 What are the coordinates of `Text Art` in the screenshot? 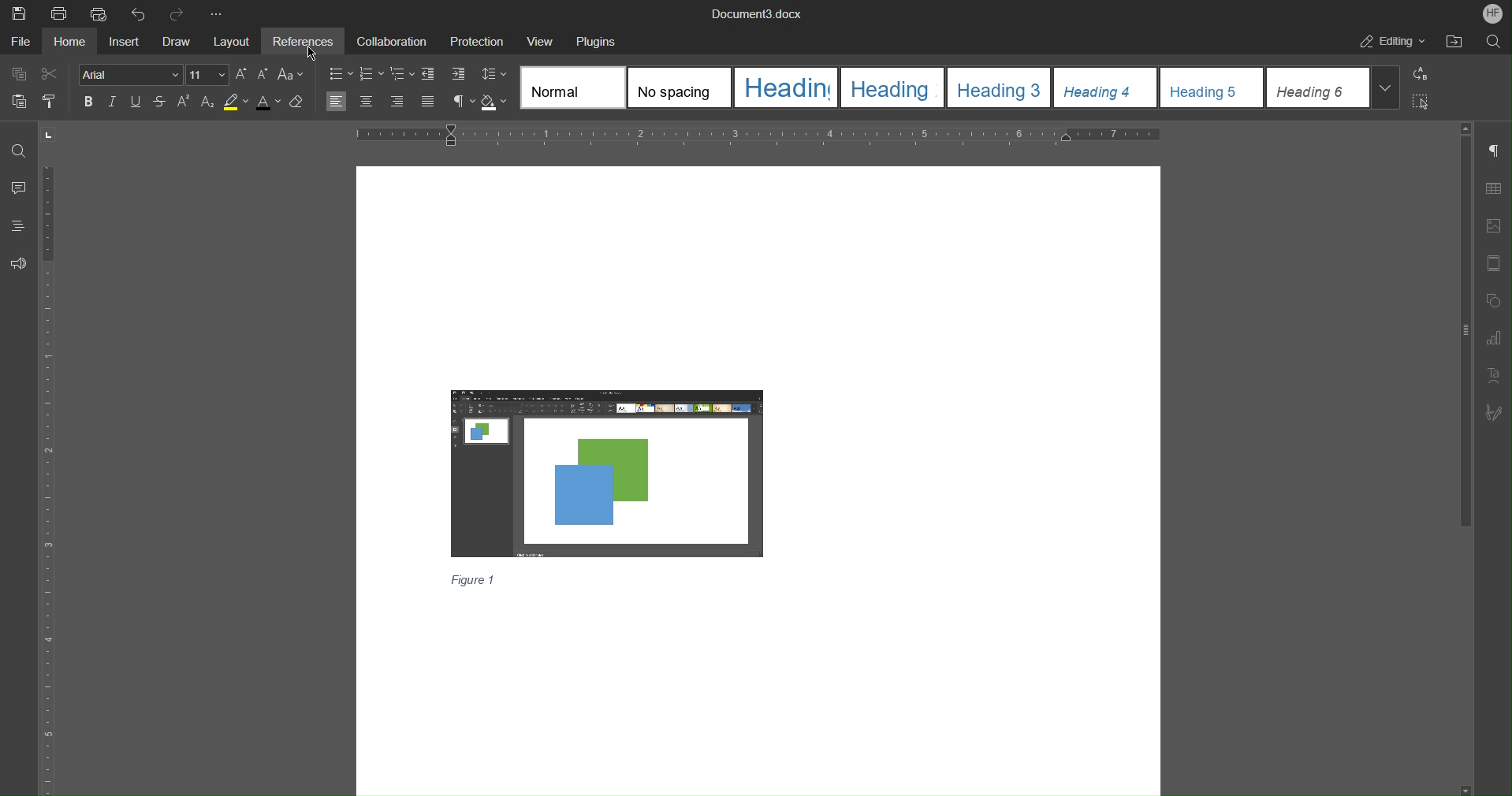 It's located at (1493, 378).